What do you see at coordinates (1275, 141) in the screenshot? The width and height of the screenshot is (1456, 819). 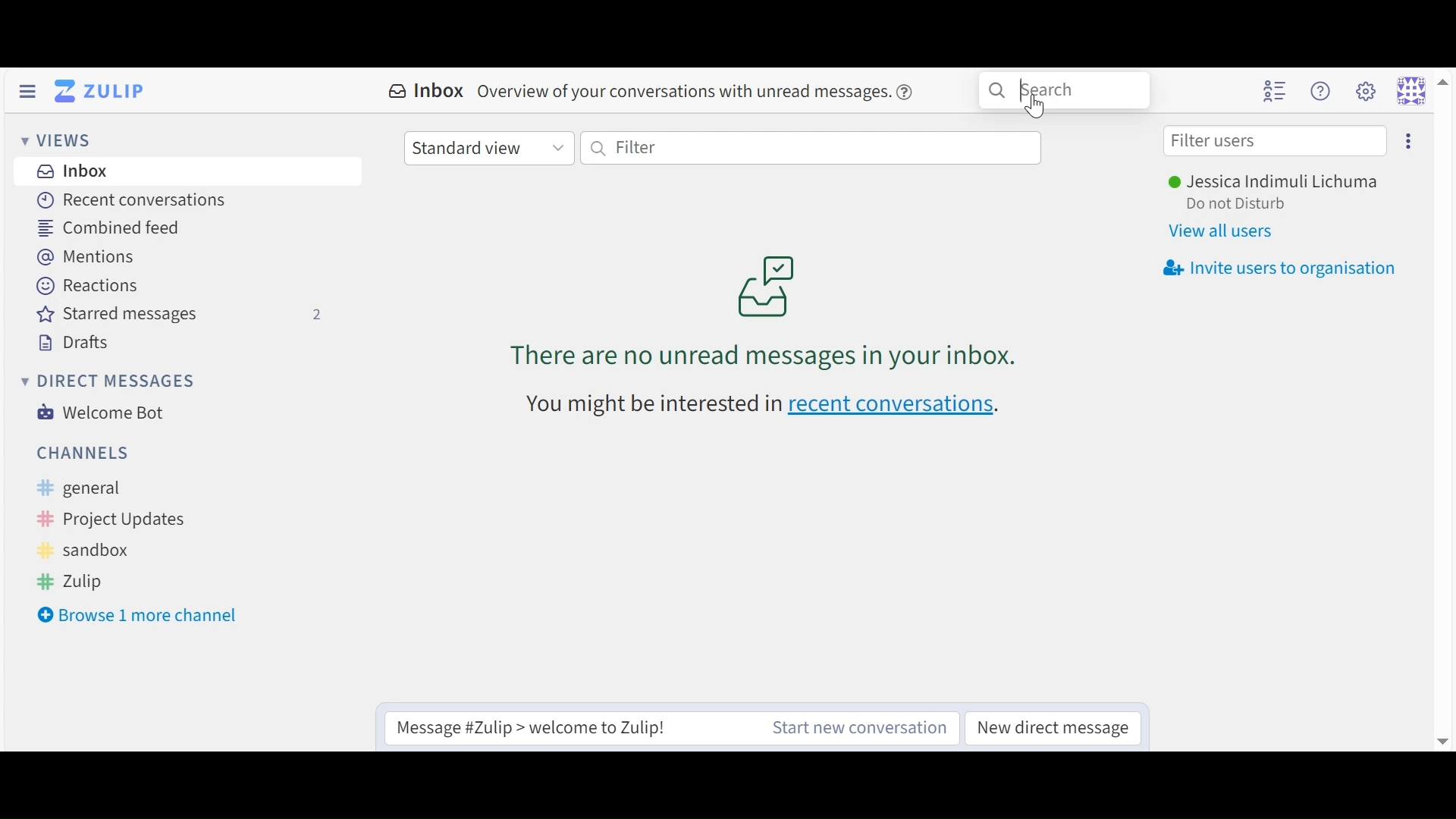 I see `Filter users` at bounding box center [1275, 141].